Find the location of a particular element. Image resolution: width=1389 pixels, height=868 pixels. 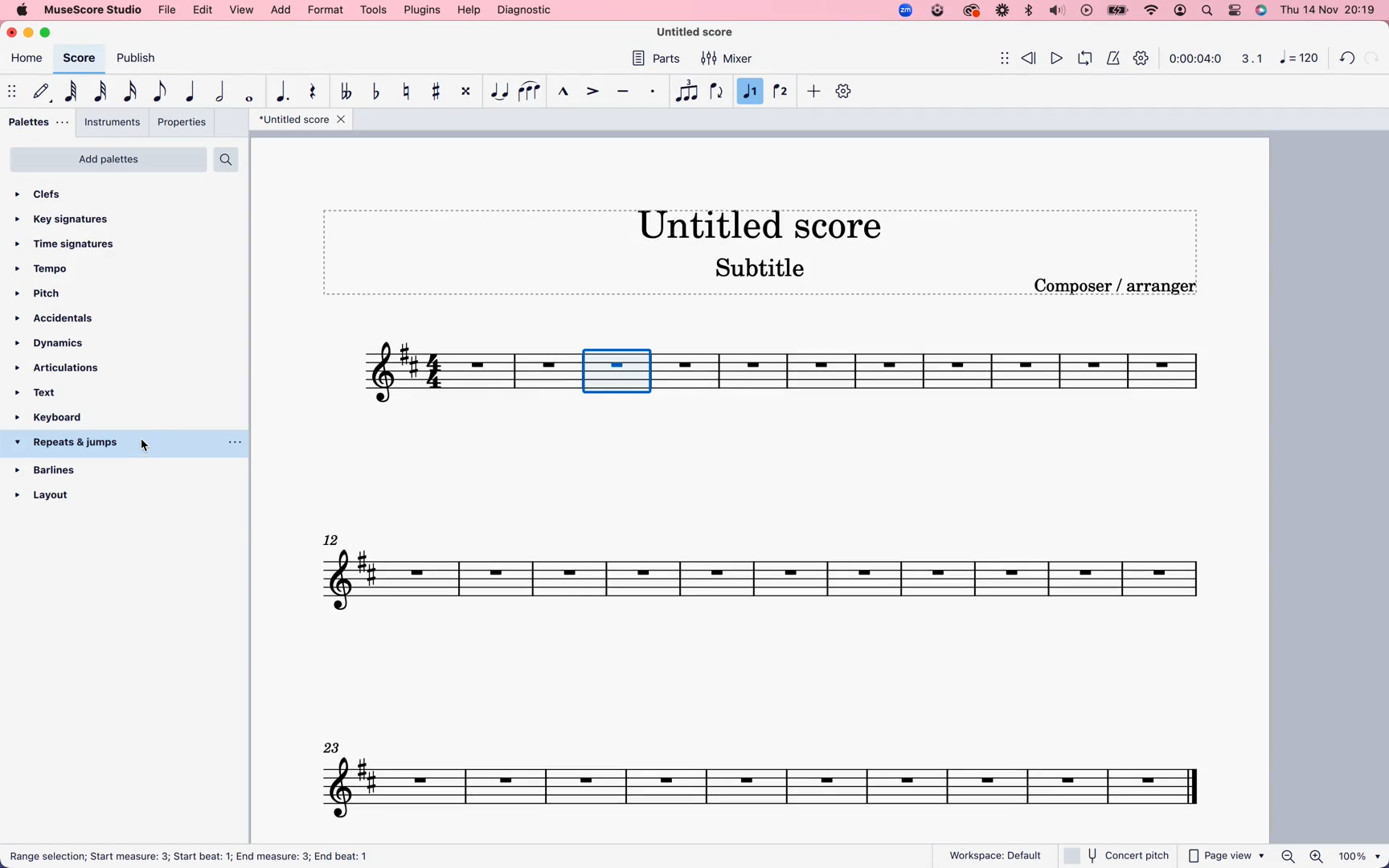

score is located at coordinates (769, 776).